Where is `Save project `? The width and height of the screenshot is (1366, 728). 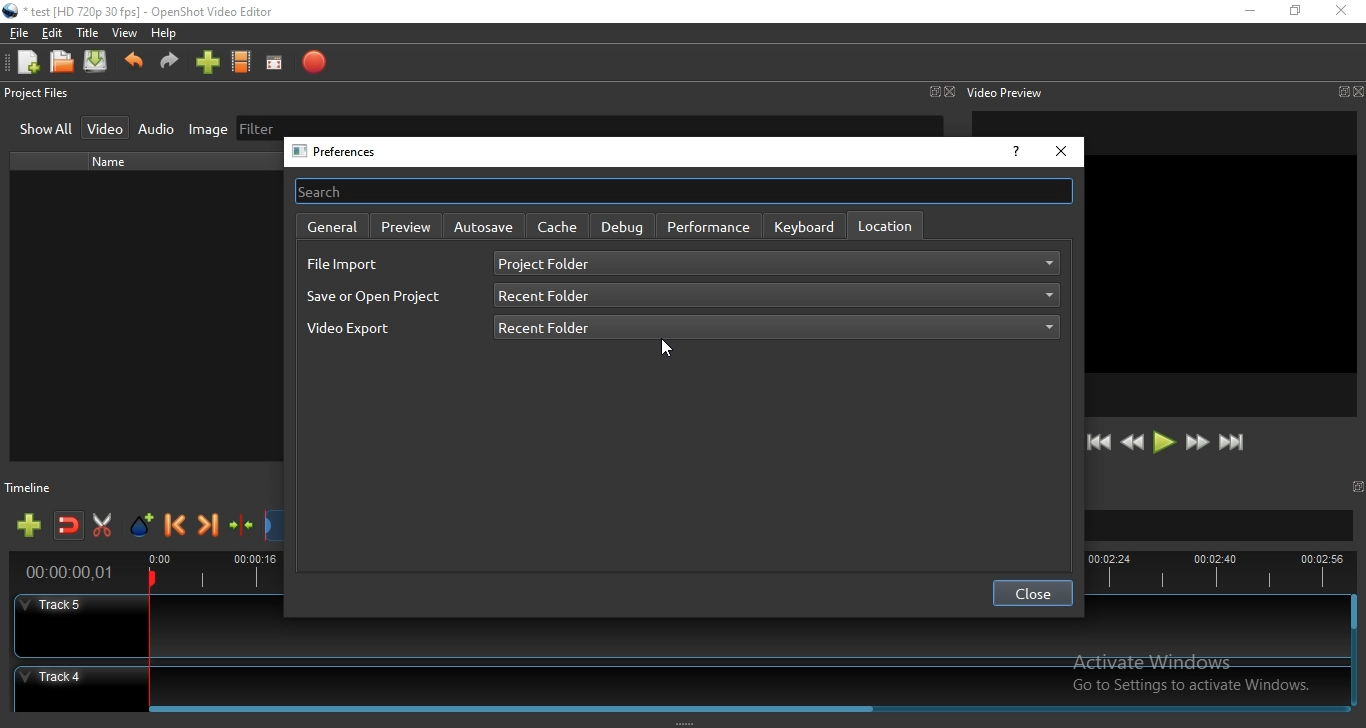 Save project  is located at coordinates (97, 63).